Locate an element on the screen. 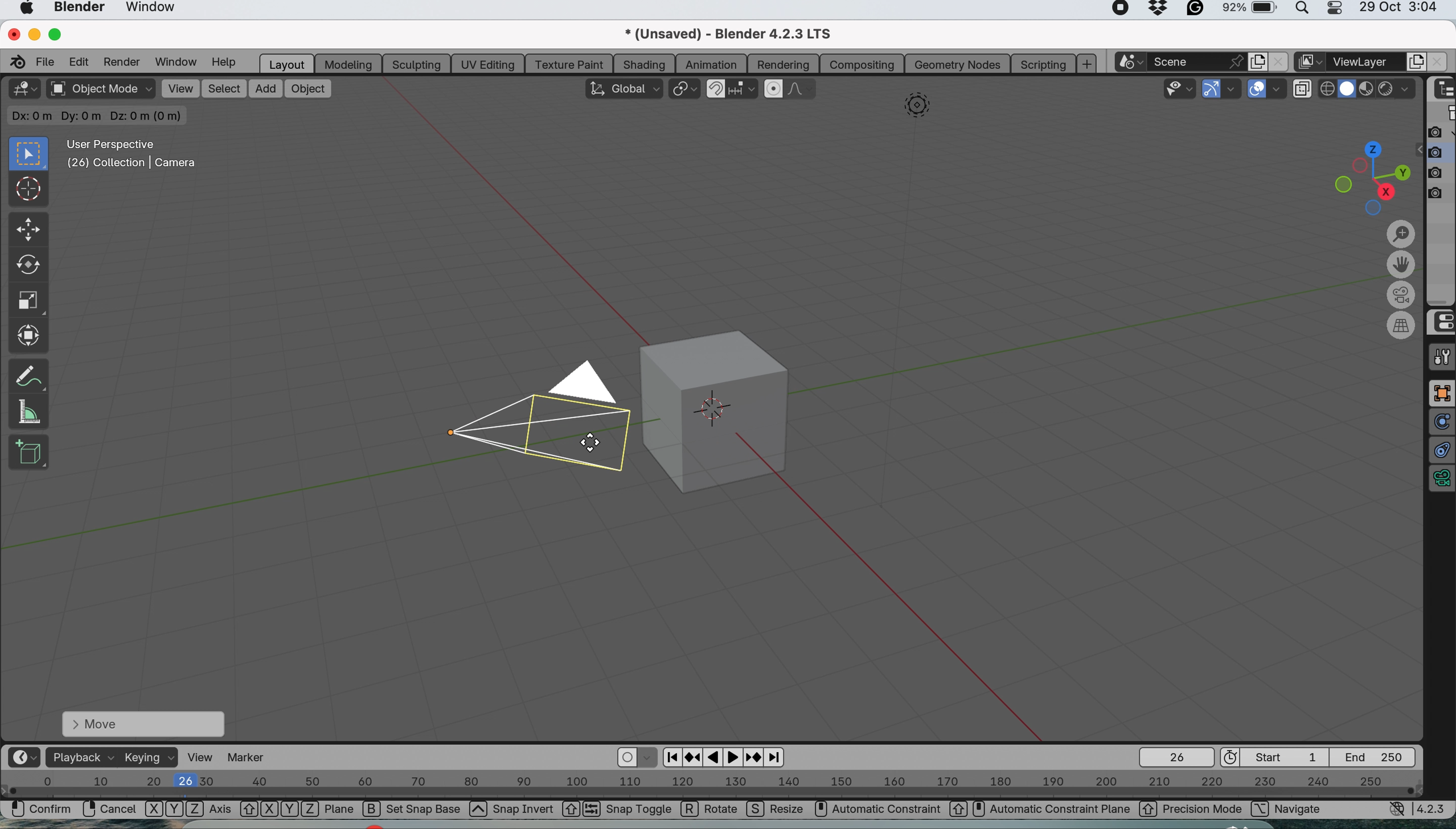 Image resolution: width=1456 pixels, height=829 pixels. auto keying is located at coordinates (627, 758).